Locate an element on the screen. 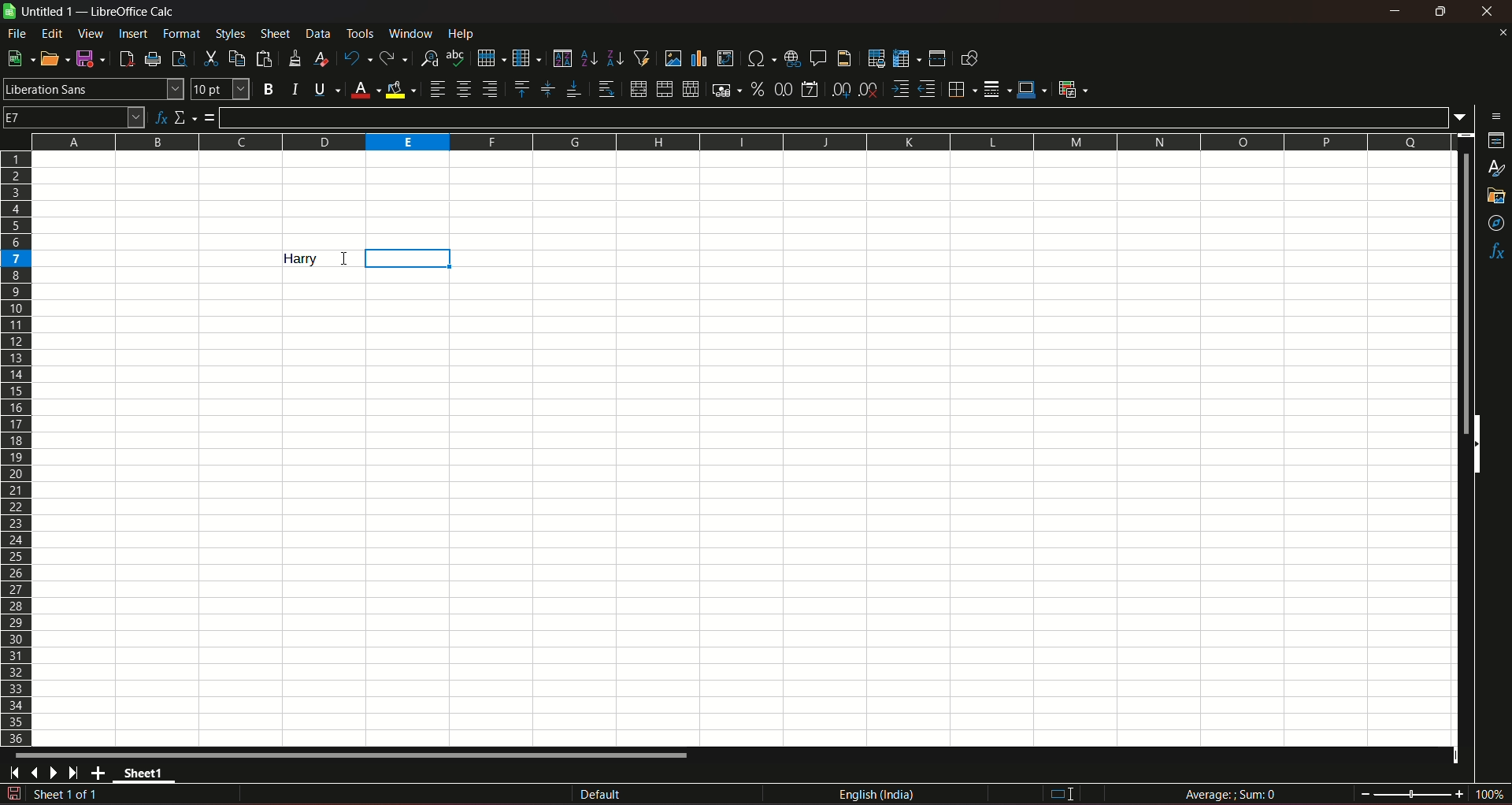 This screenshot has width=1512, height=805. font size is located at coordinates (218, 90).